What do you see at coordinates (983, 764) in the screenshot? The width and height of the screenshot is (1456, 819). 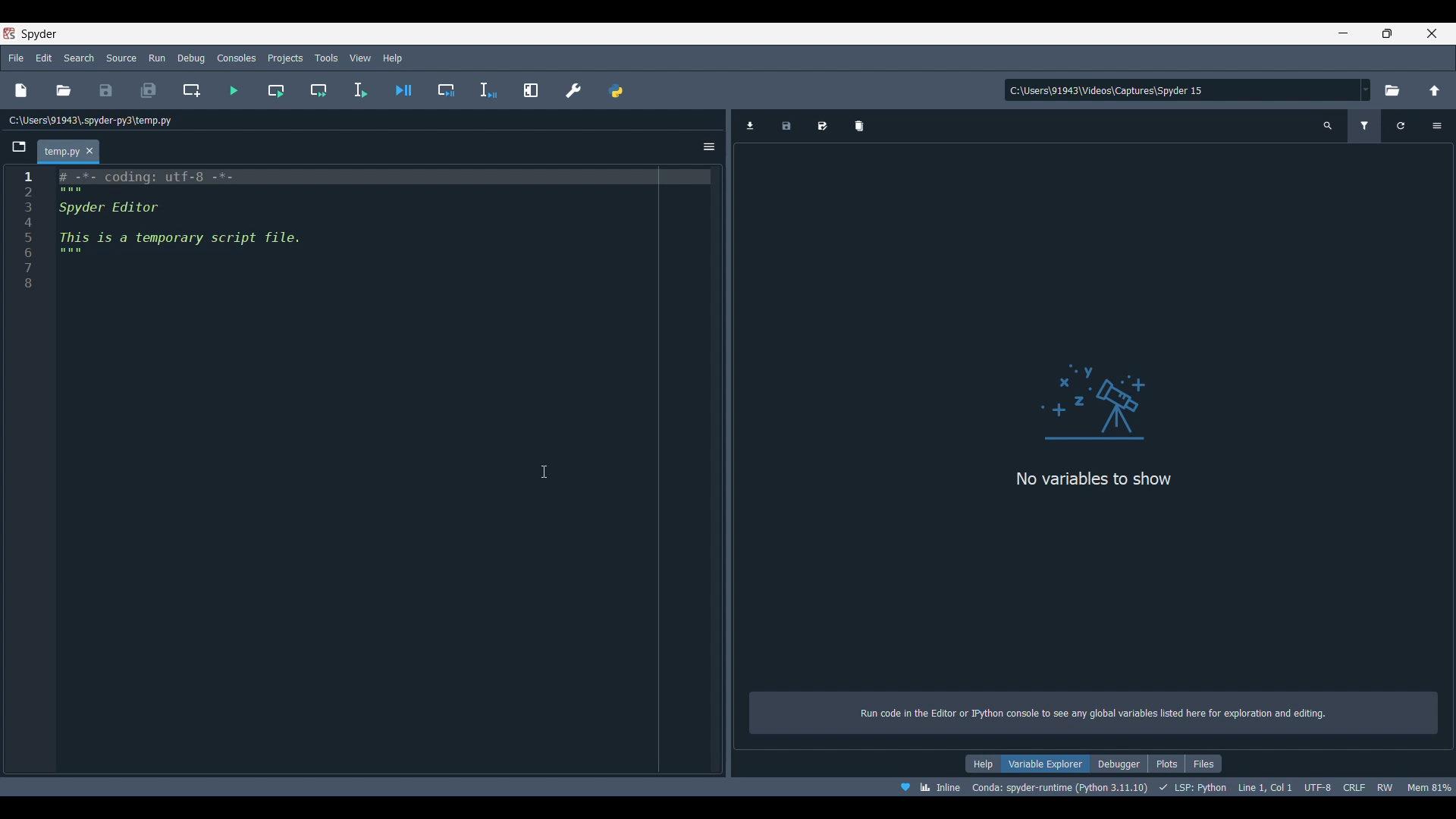 I see `Help` at bounding box center [983, 764].